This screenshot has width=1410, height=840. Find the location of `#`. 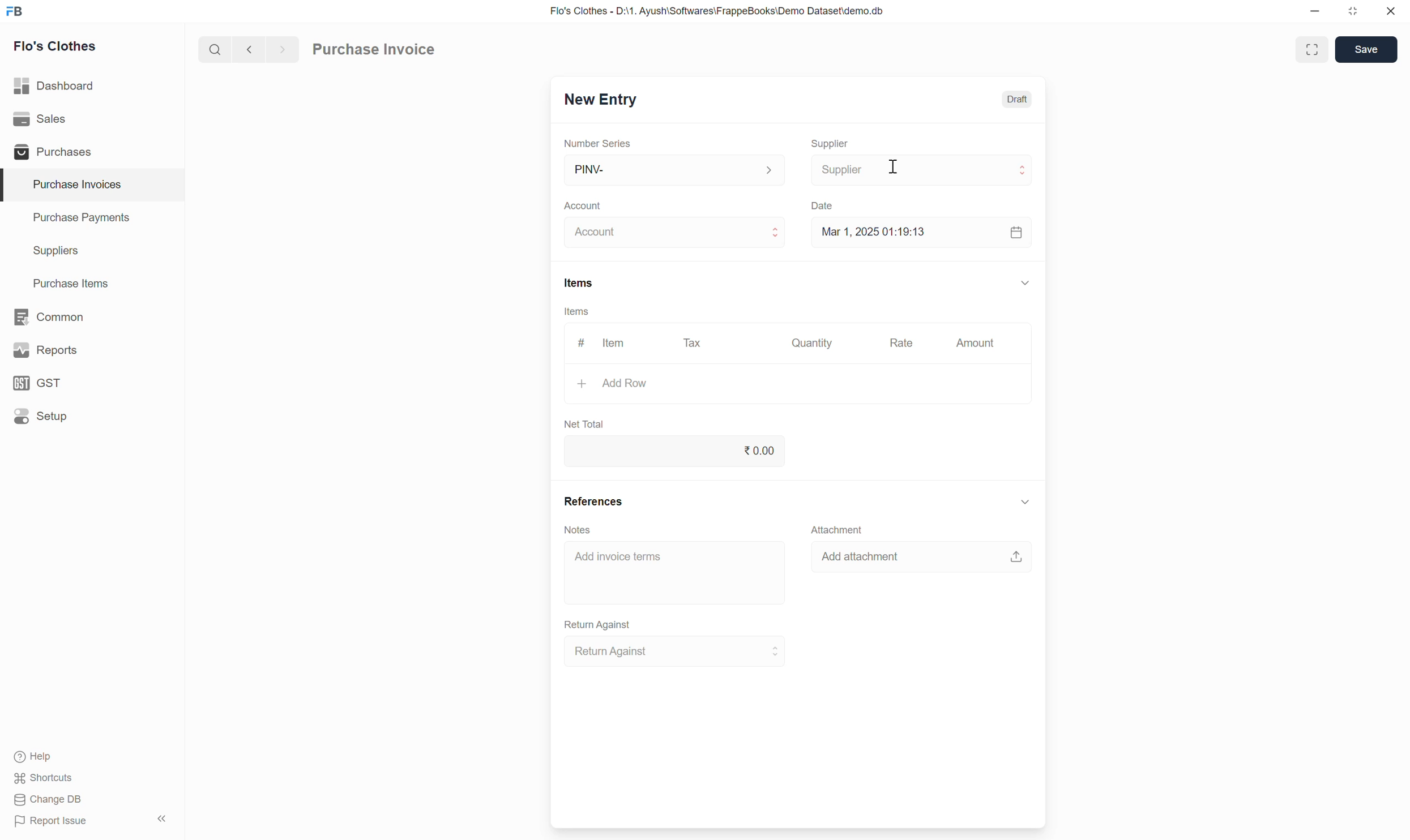

# is located at coordinates (580, 340).